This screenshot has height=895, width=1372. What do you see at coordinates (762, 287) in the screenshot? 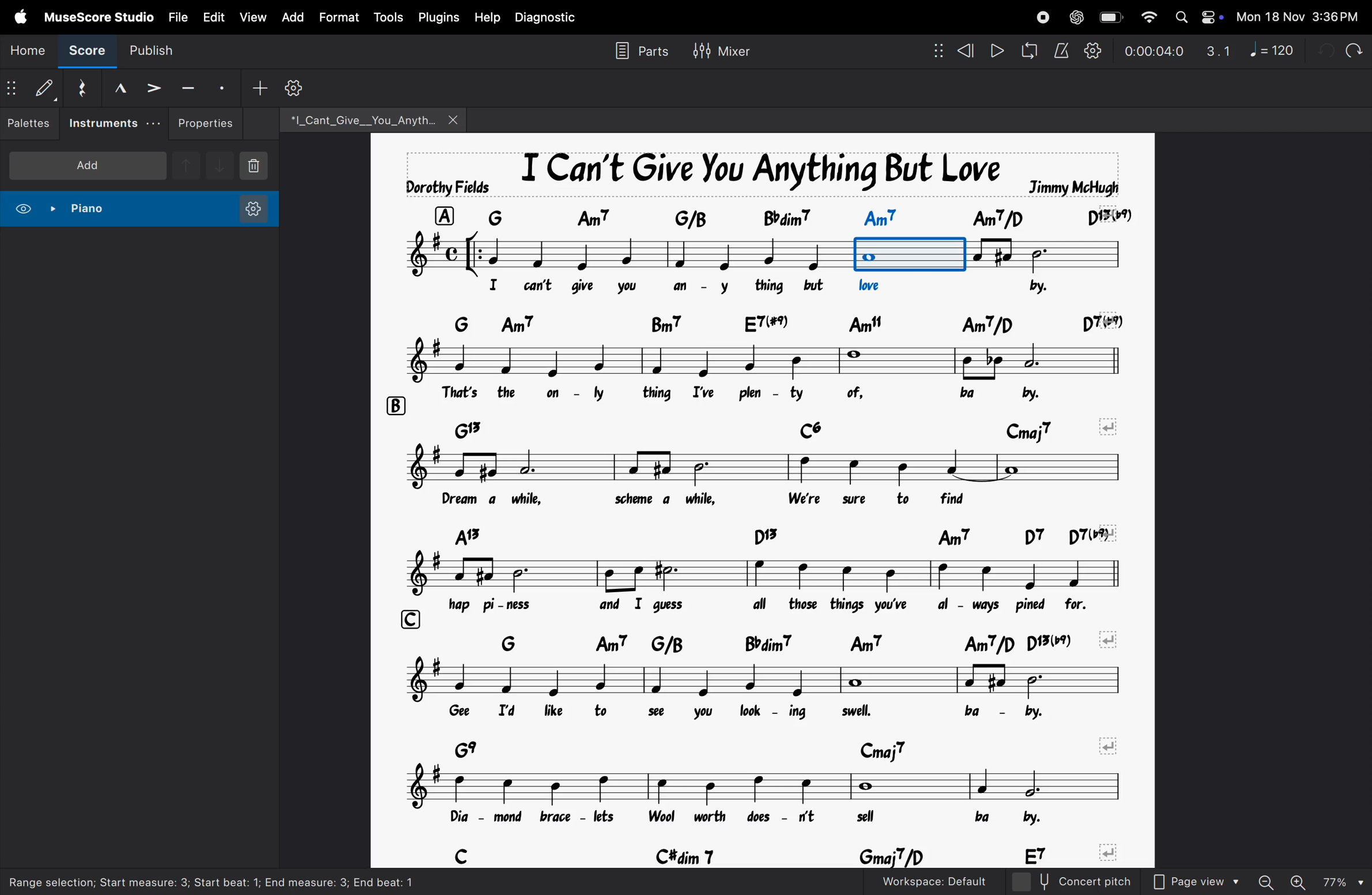
I see `lyrics` at bounding box center [762, 287].